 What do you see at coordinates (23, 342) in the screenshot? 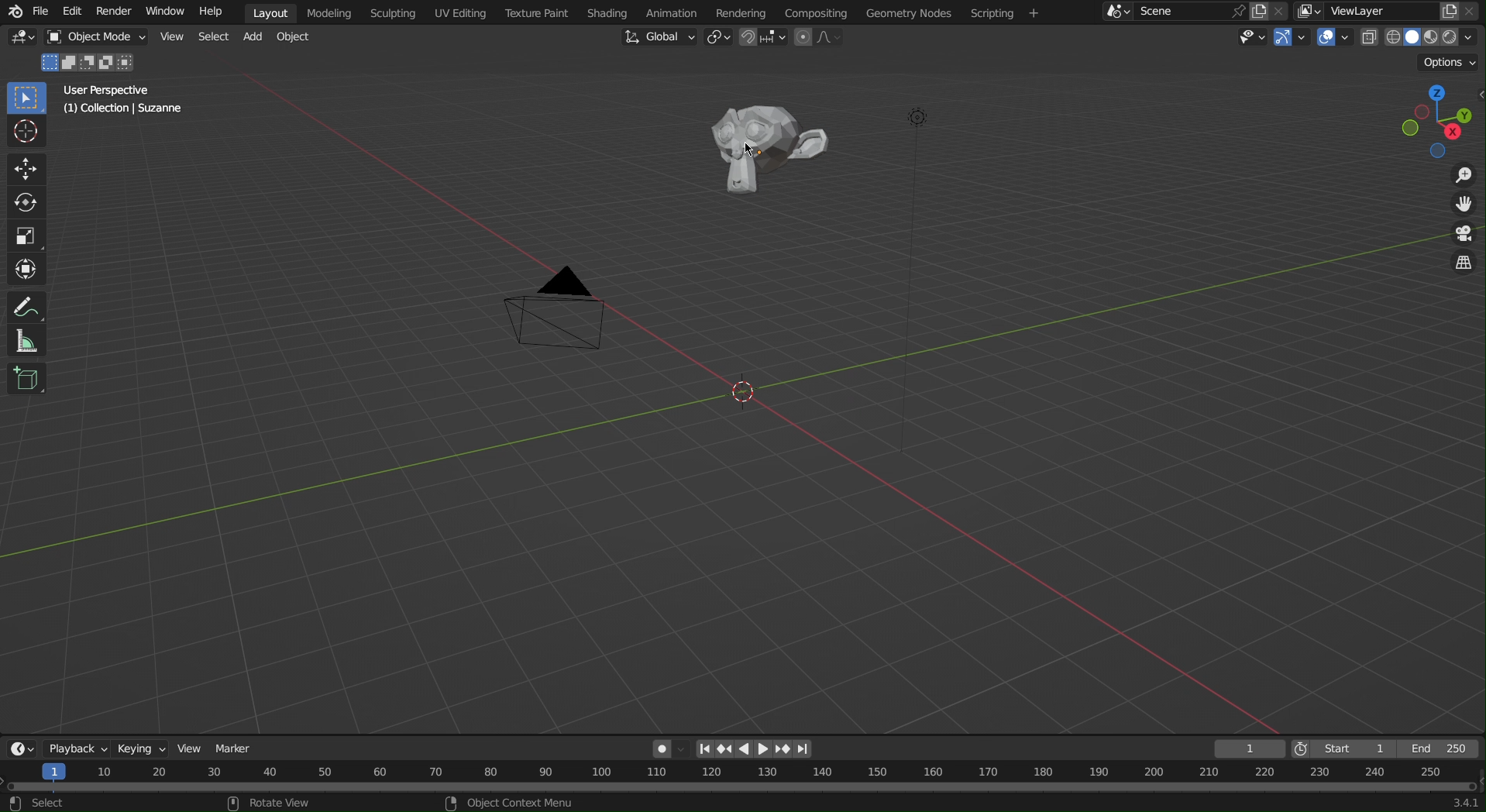
I see `Measure` at bounding box center [23, 342].